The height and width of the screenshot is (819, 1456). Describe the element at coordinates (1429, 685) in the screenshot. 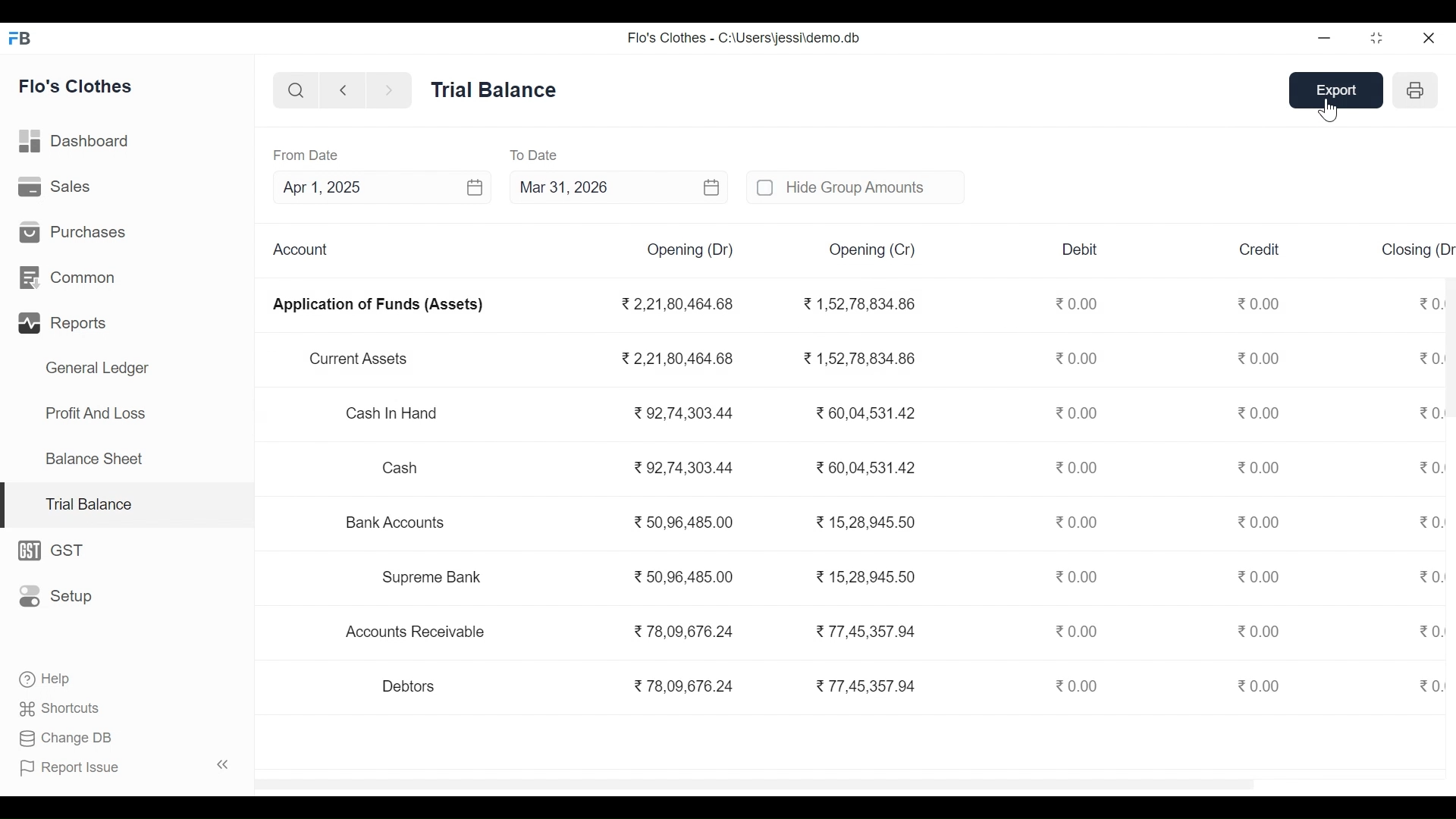

I see `0.00` at that location.